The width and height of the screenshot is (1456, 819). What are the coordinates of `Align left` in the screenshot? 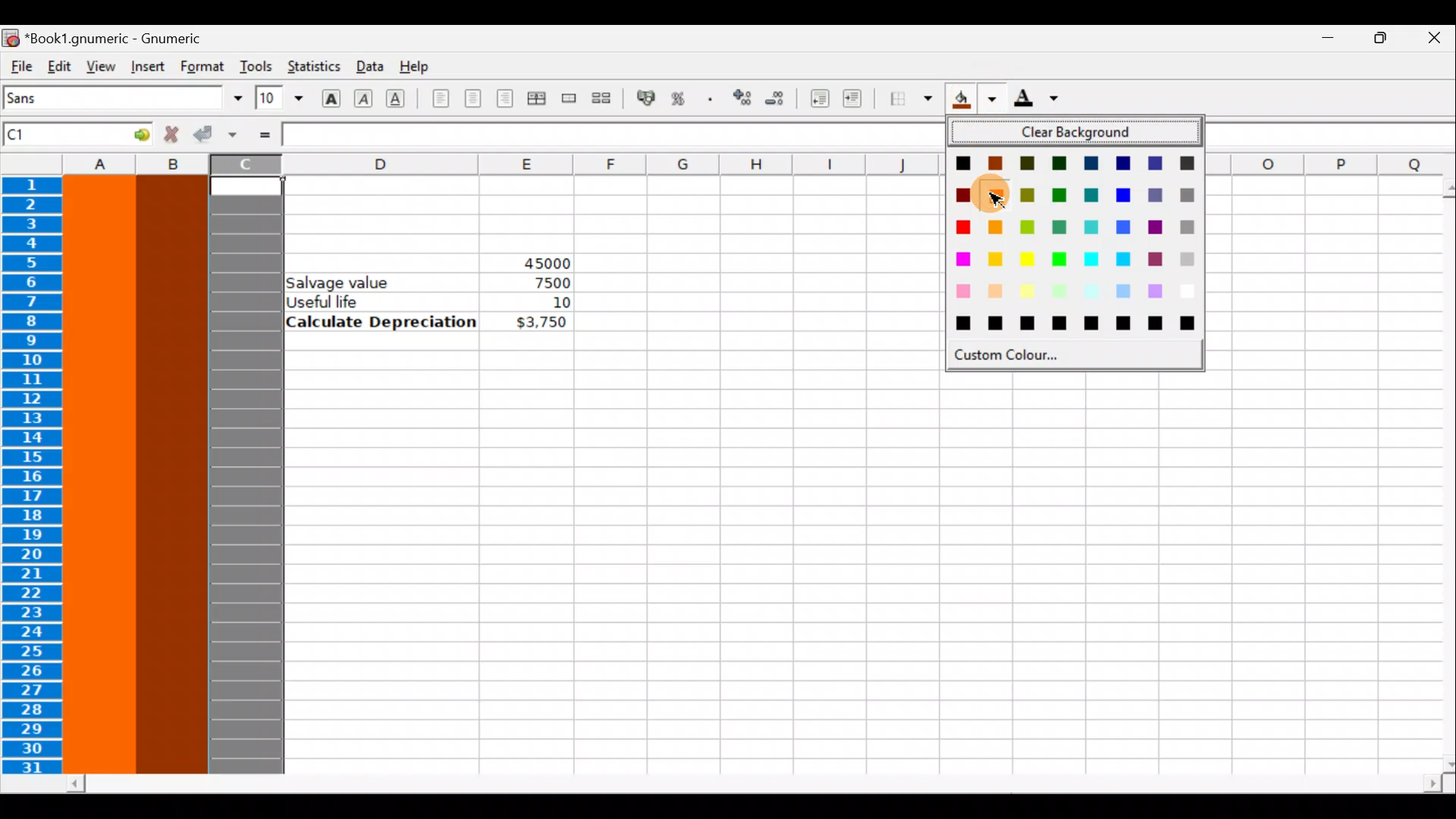 It's located at (441, 99).